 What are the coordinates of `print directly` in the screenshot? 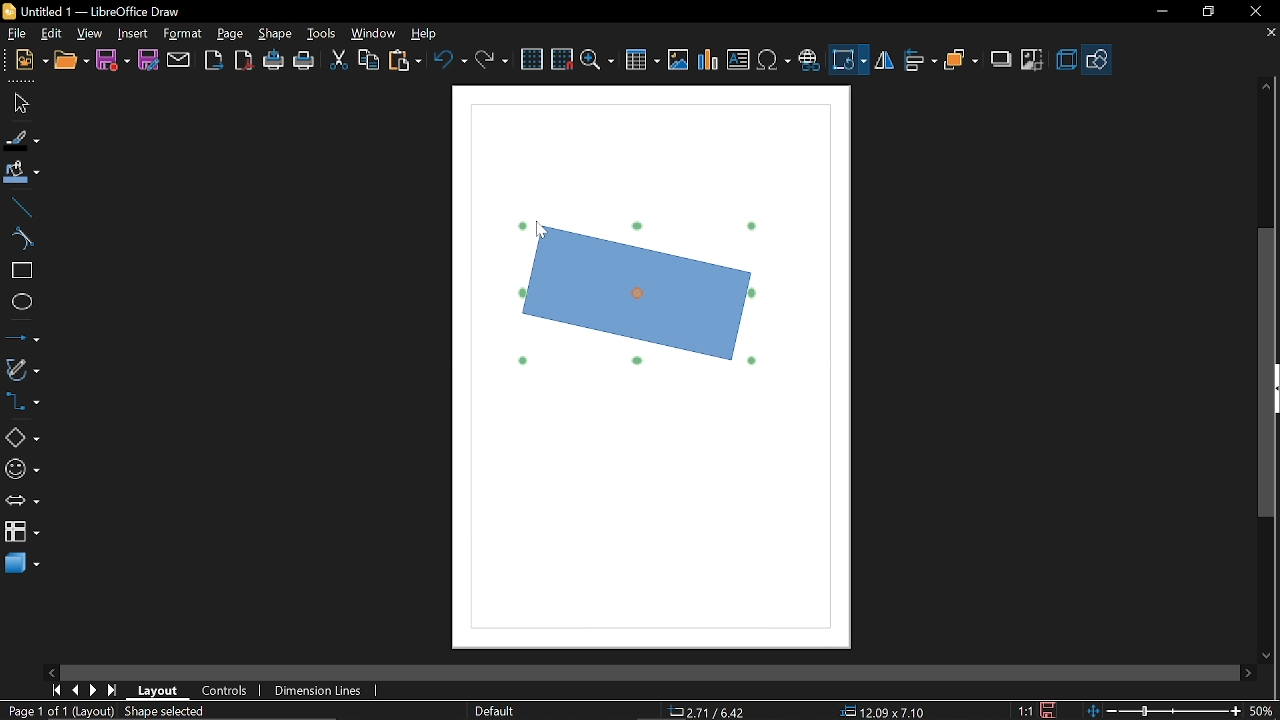 It's located at (273, 62).